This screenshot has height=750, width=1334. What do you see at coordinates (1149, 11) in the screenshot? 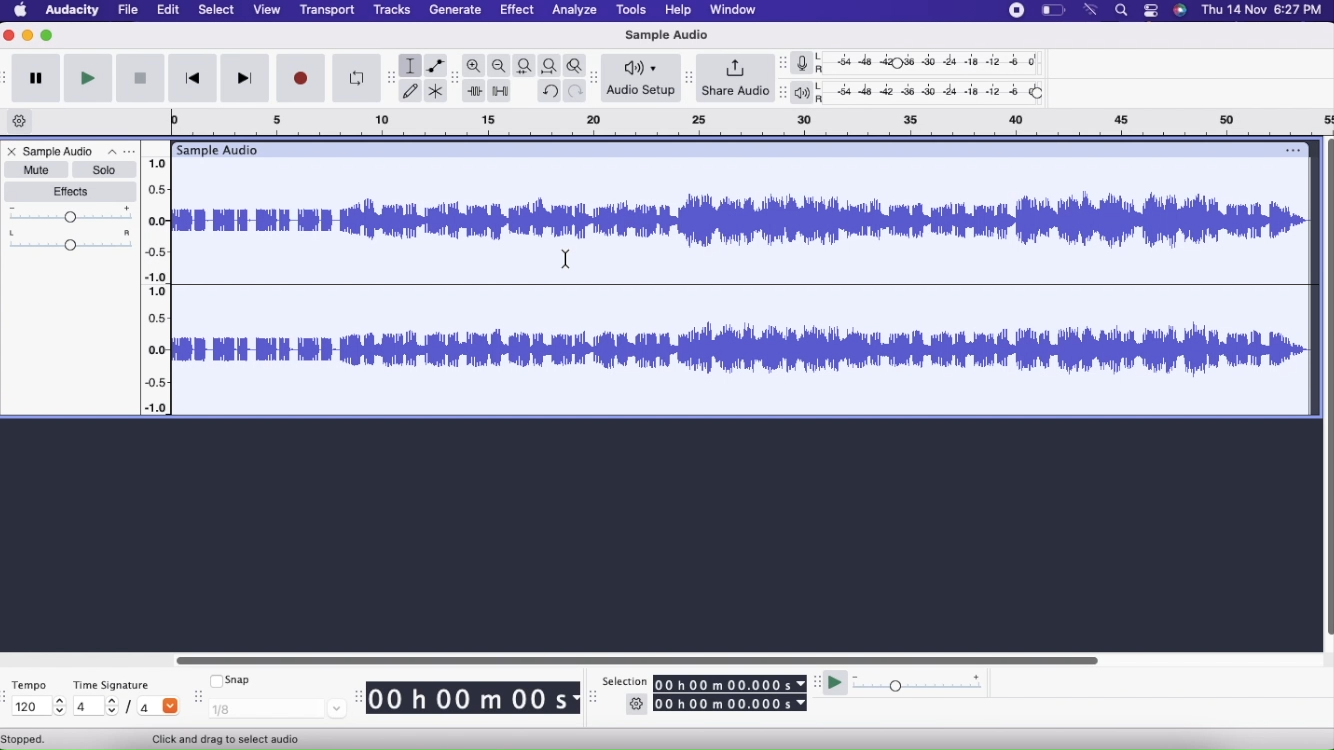
I see `More options` at bounding box center [1149, 11].